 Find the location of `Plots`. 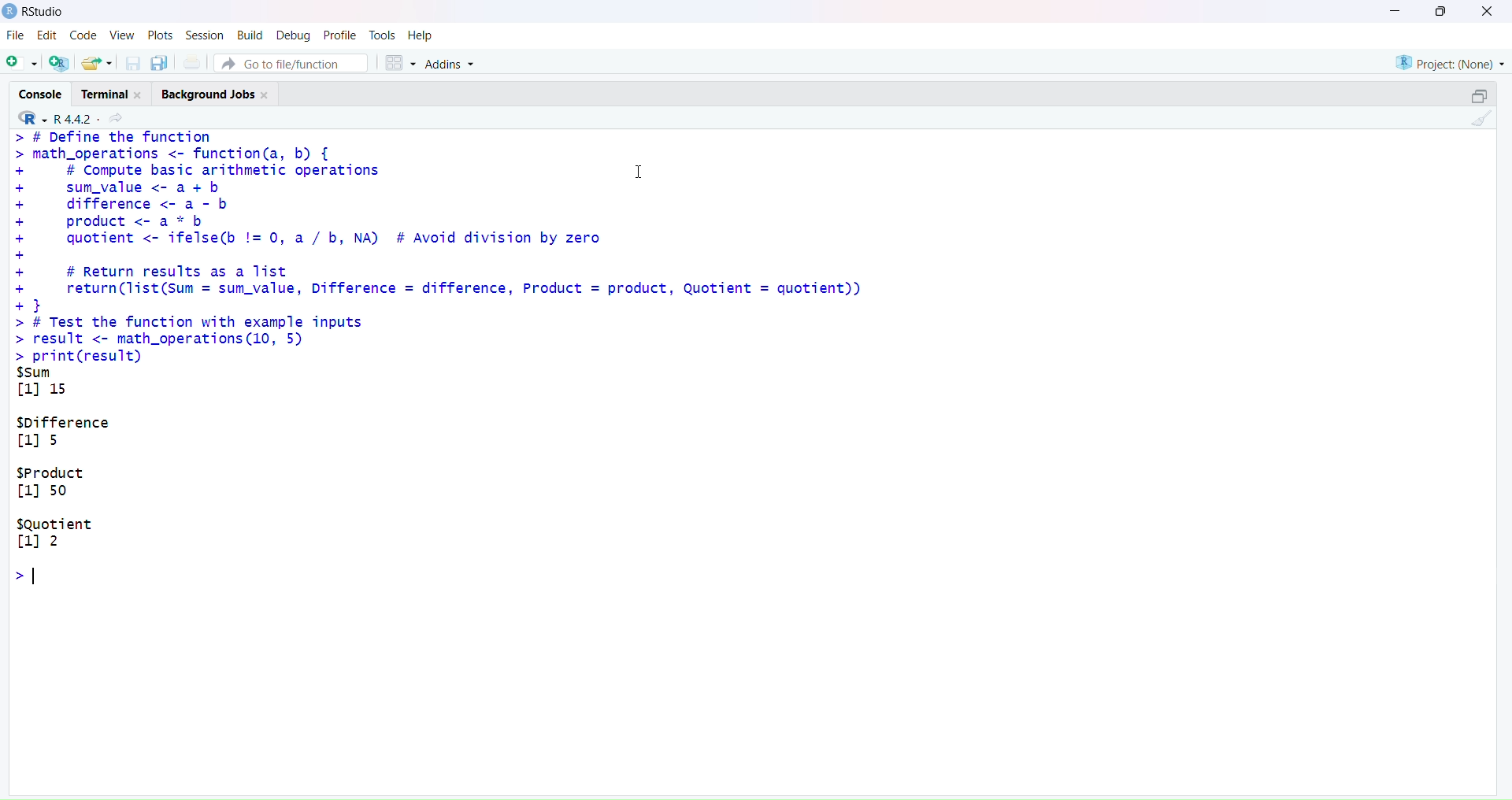

Plots is located at coordinates (158, 35).